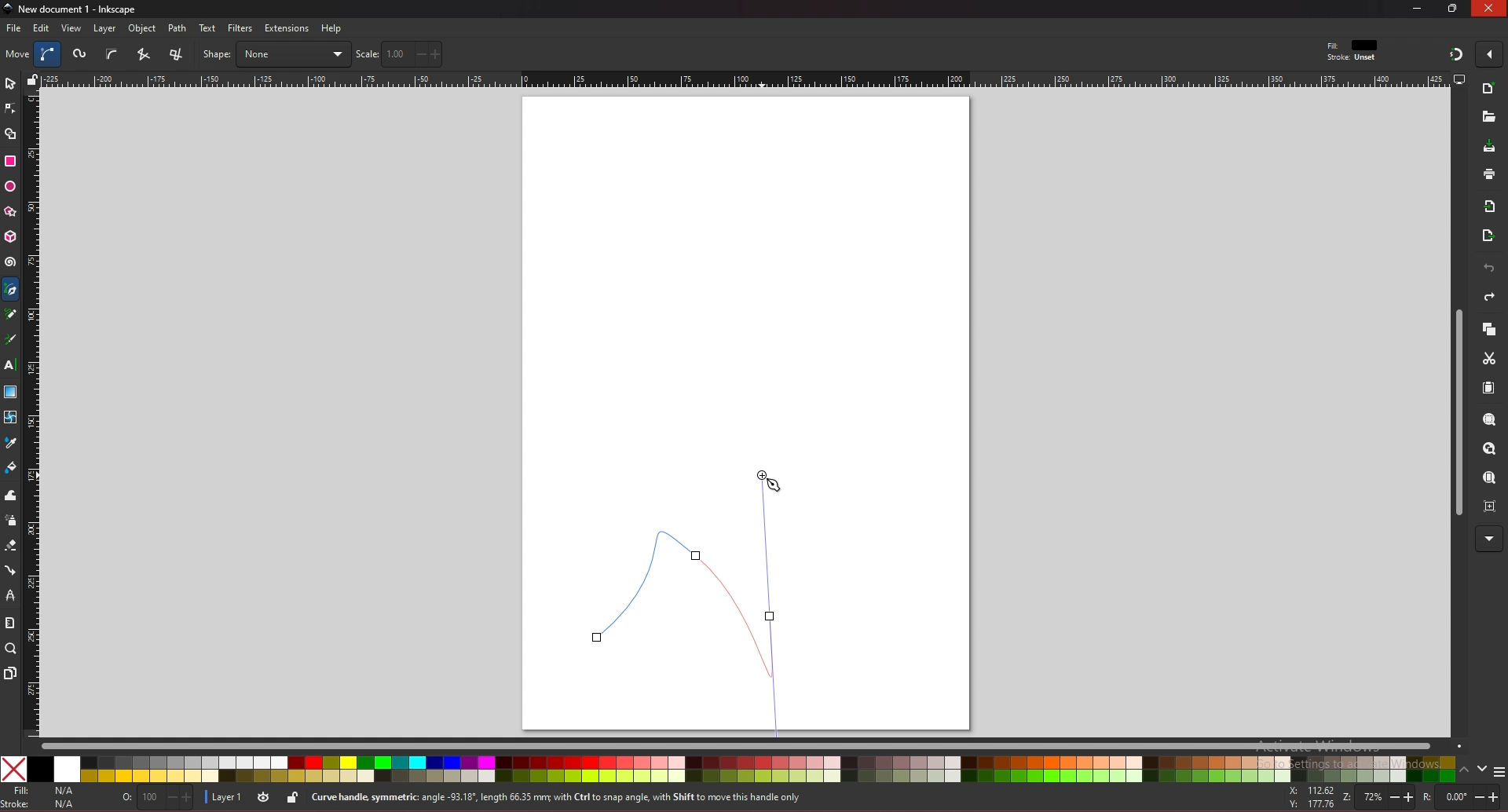 This screenshot has height=812, width=1508. I want to click on text, so click(207, 28).